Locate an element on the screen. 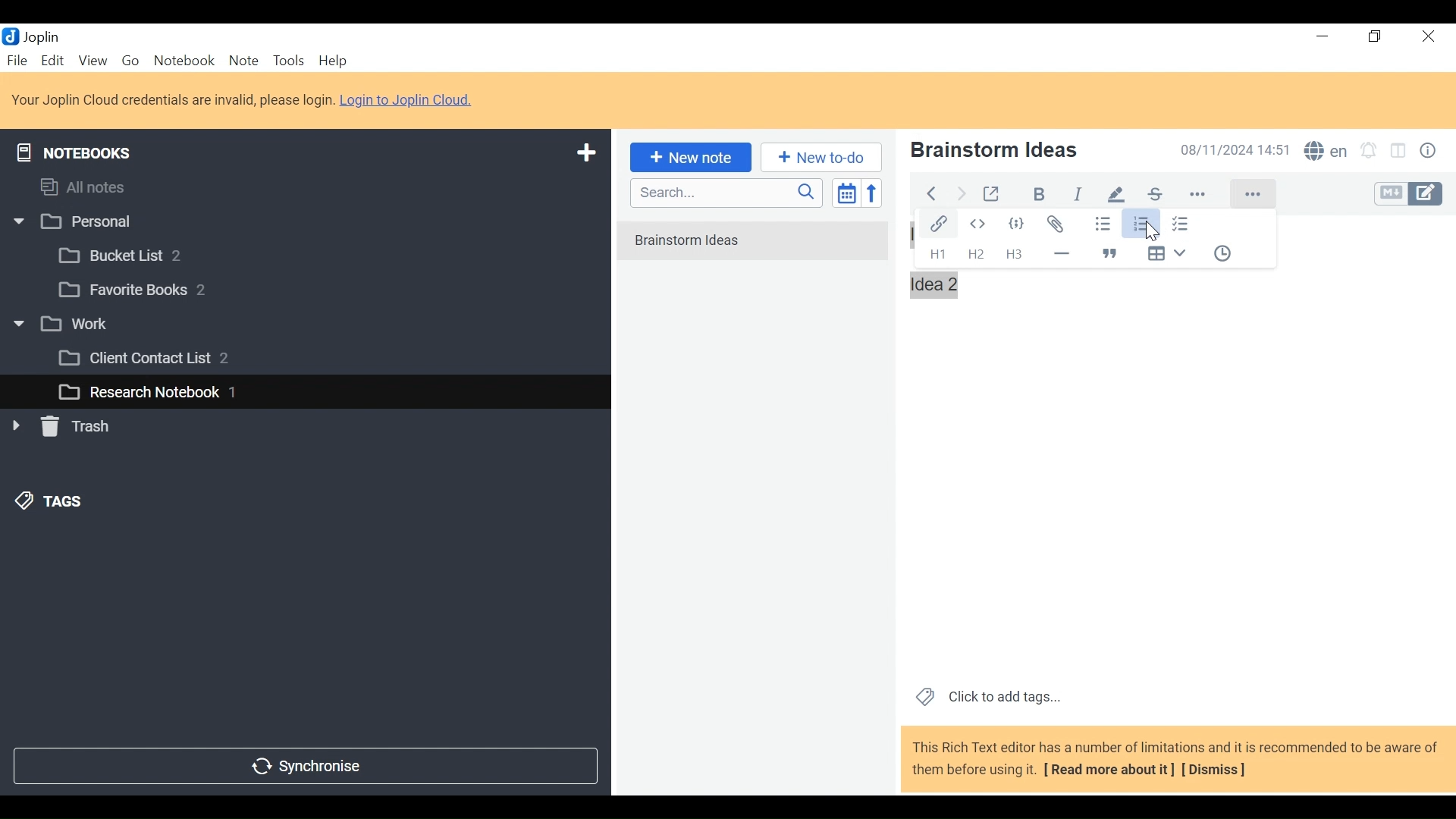 This screenshot has height=819, width=1456. Note is located at coordinates (243, 60).